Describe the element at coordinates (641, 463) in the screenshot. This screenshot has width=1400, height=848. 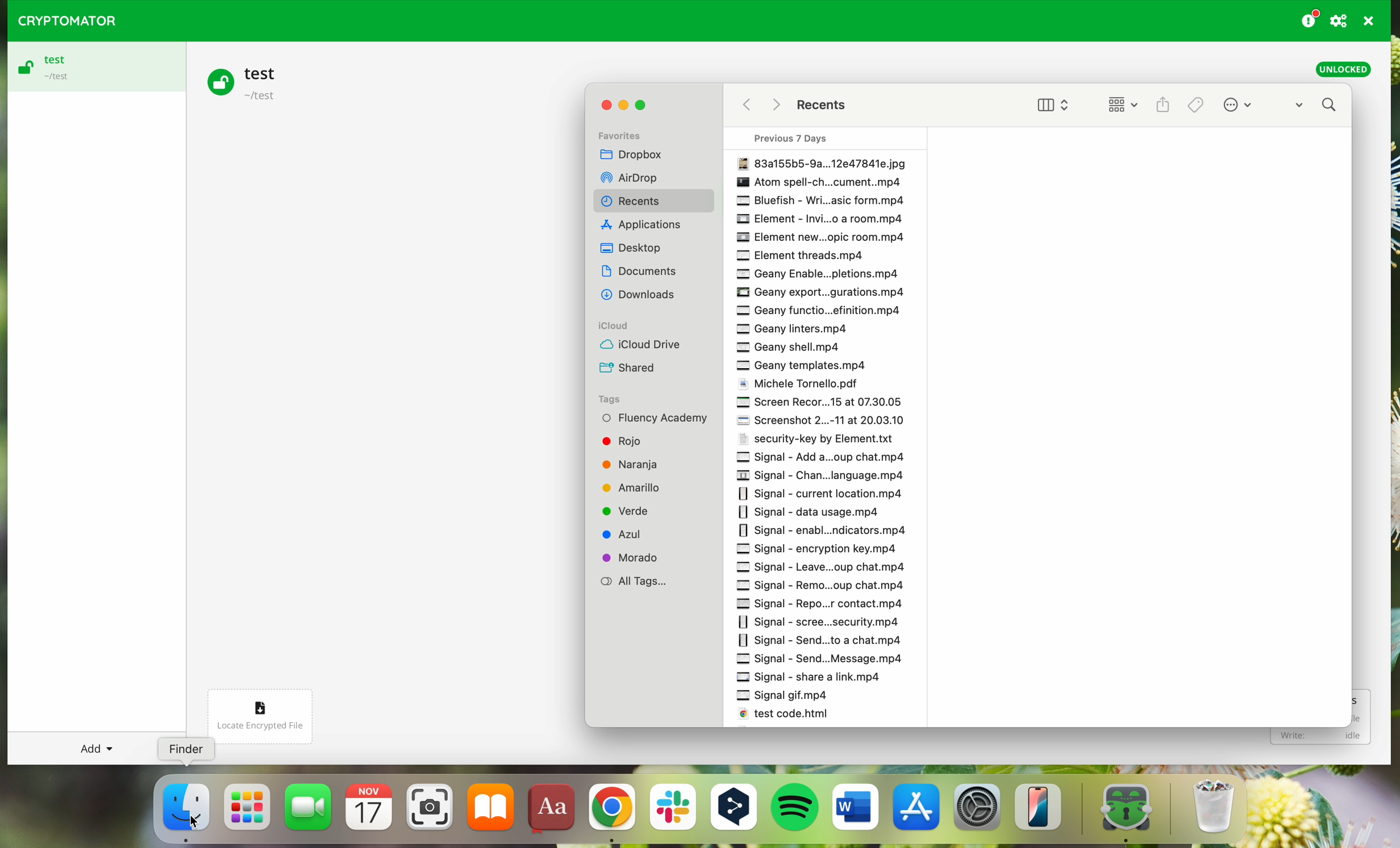
I see `Naranja` at that location.